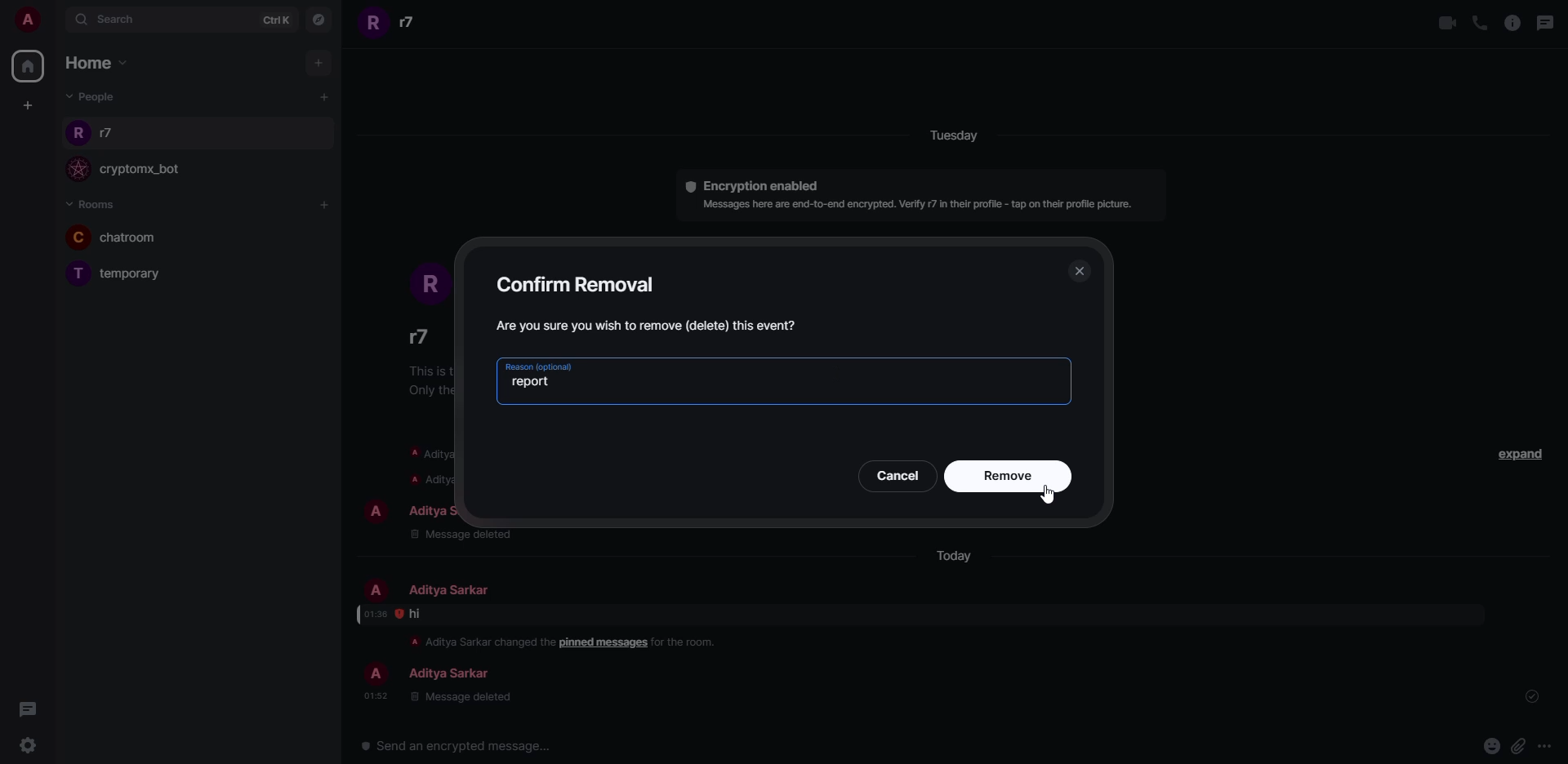 The image size is (1568, 764). Describe the element at coordinates (76, 170) in the screenshot. I see `profile` at that location.